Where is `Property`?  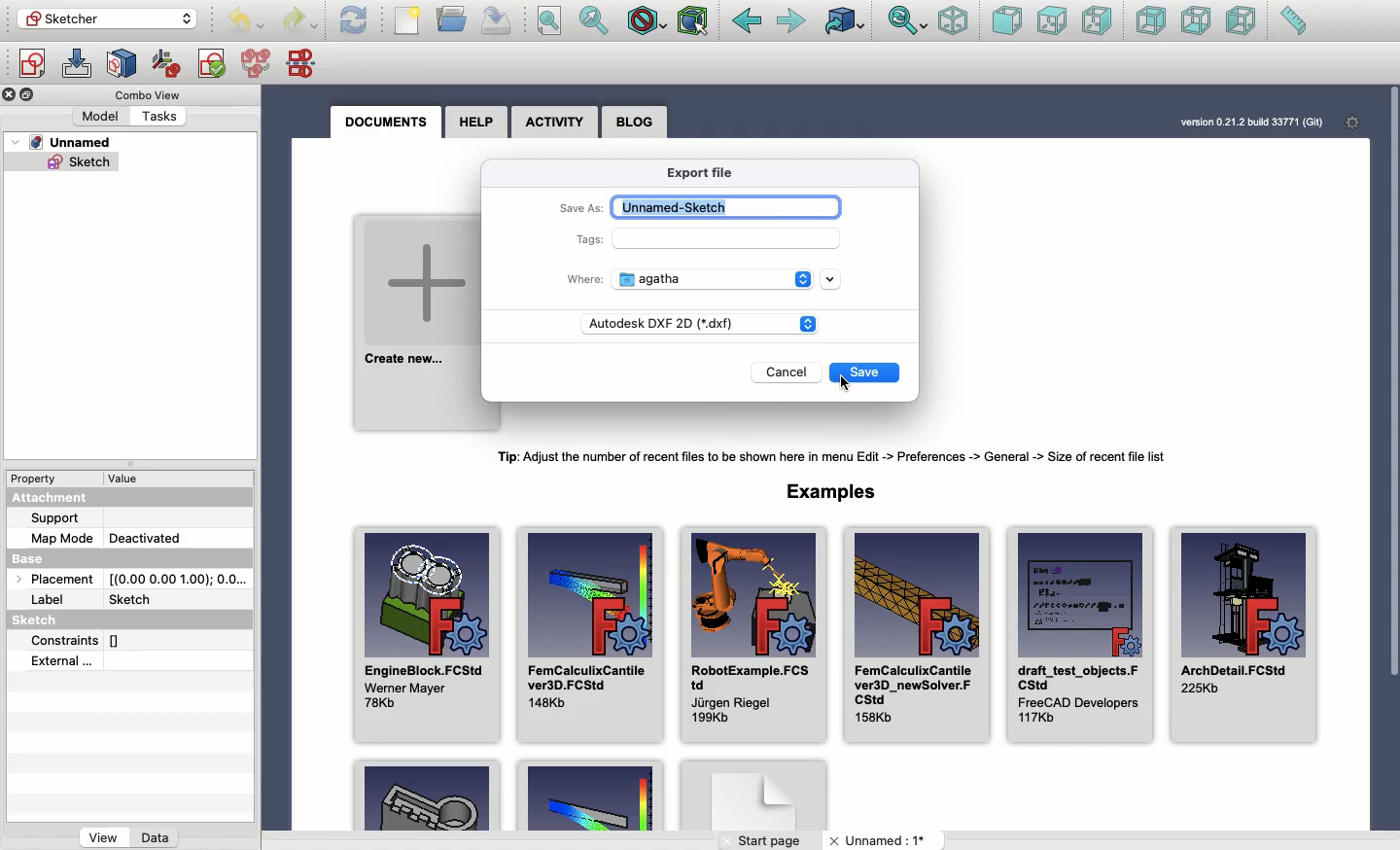
Property is located at coordinates (39, 477).